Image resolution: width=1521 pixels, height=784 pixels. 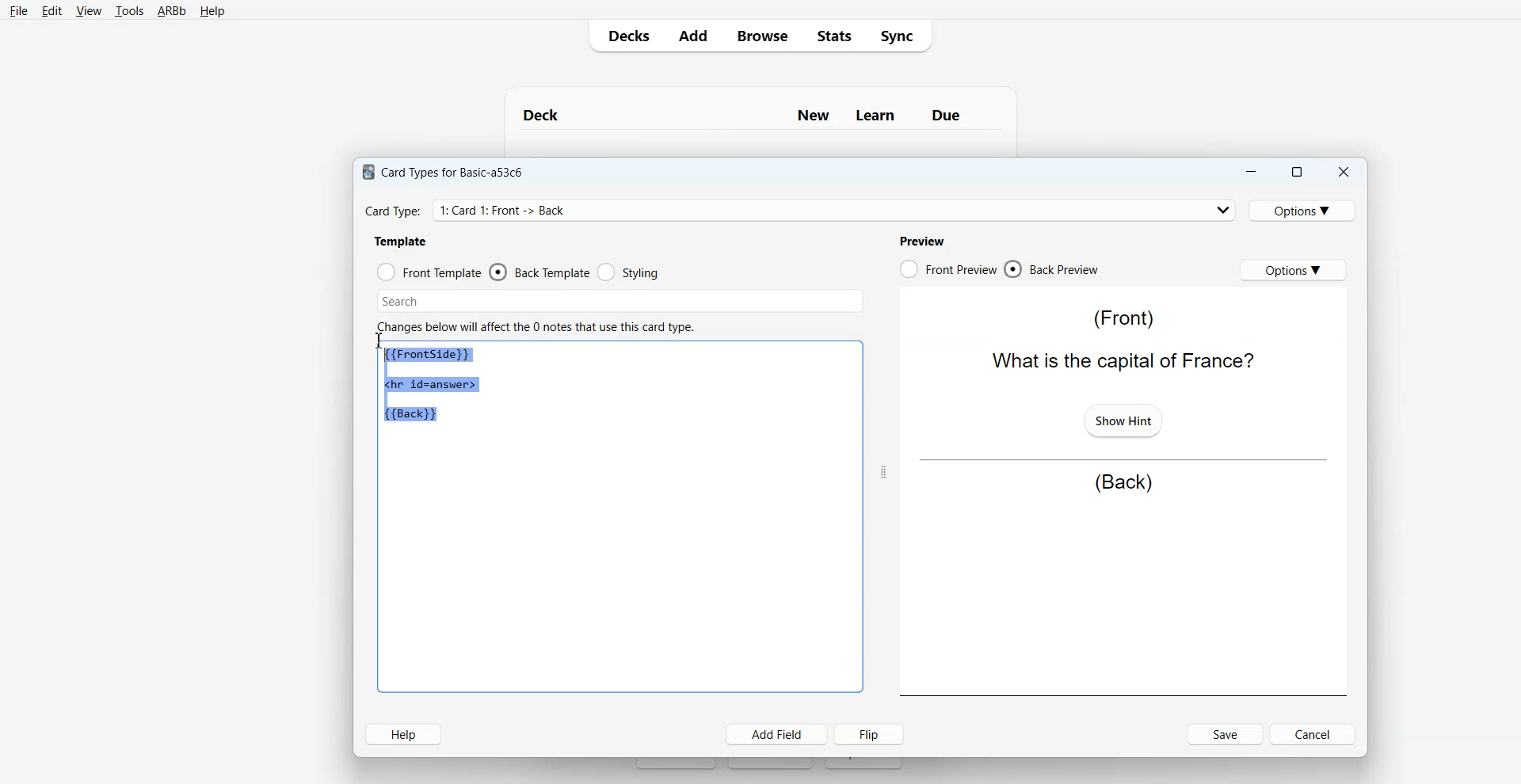 What do you see at coordinates (1052, 269) in the screenshot?
I see `Back Preview` at bounding box center [1052, 269].